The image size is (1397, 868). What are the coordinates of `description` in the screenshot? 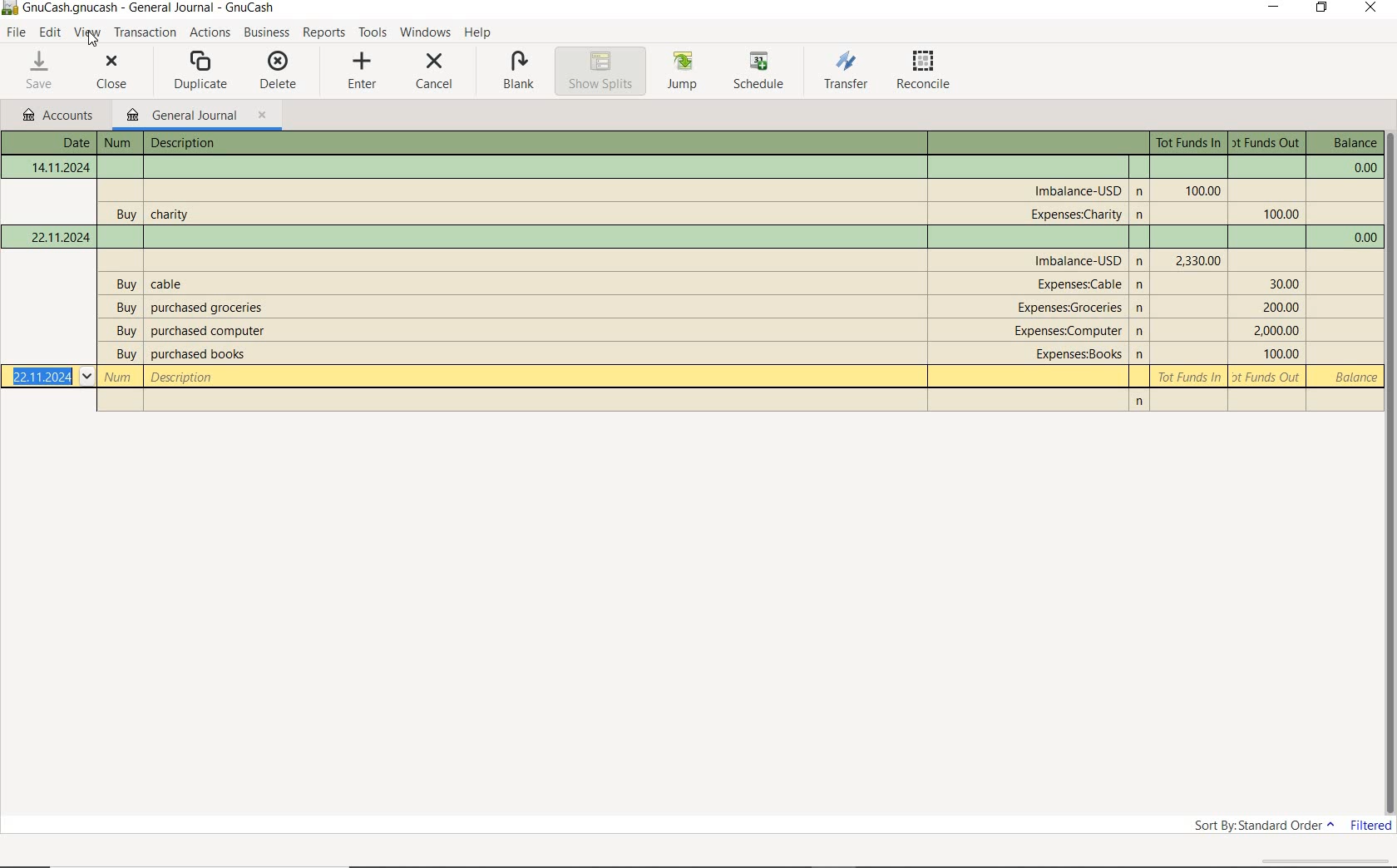 It's located at (184, 377).